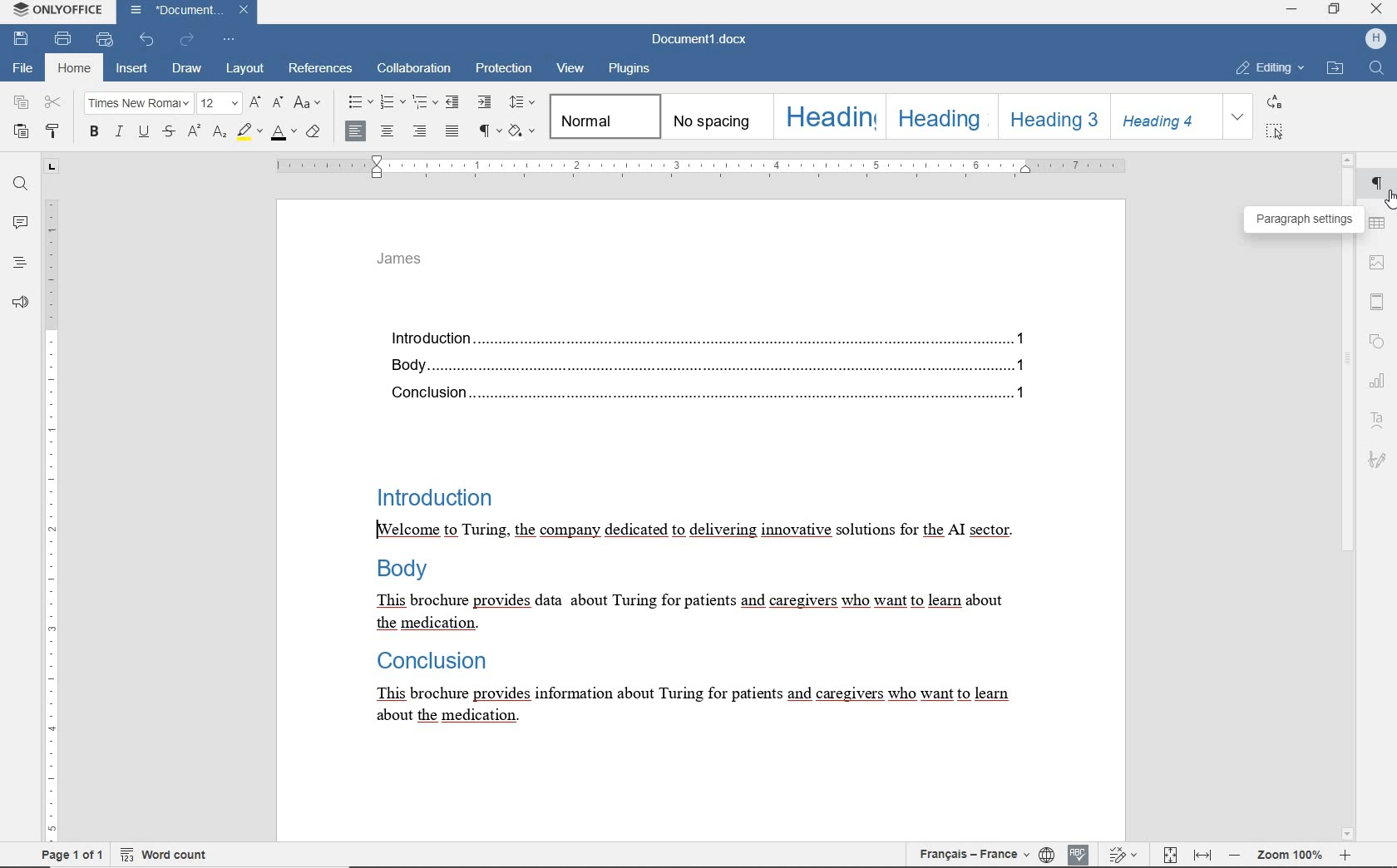 The width and height of the screenshot is (1397, 868). What do you see at coordinates (1348, 495) in the screenshot?
I see `scrollbar` at bounding box center [1348, 495].